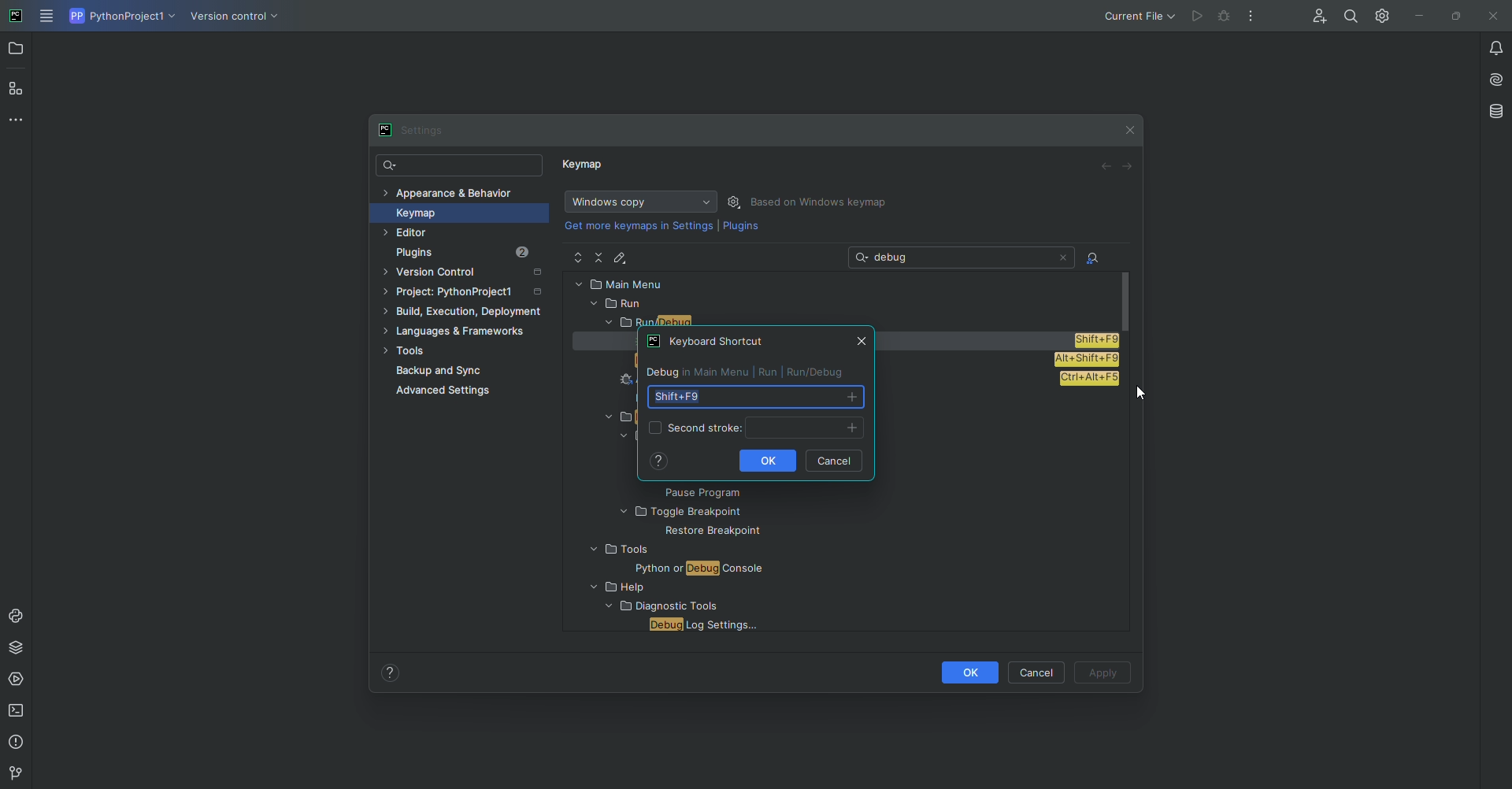 This screenshot has width=1512, height=789. Describe the element at coordinates (600, 257) in the screenshot. I see `Collapse` at that location.